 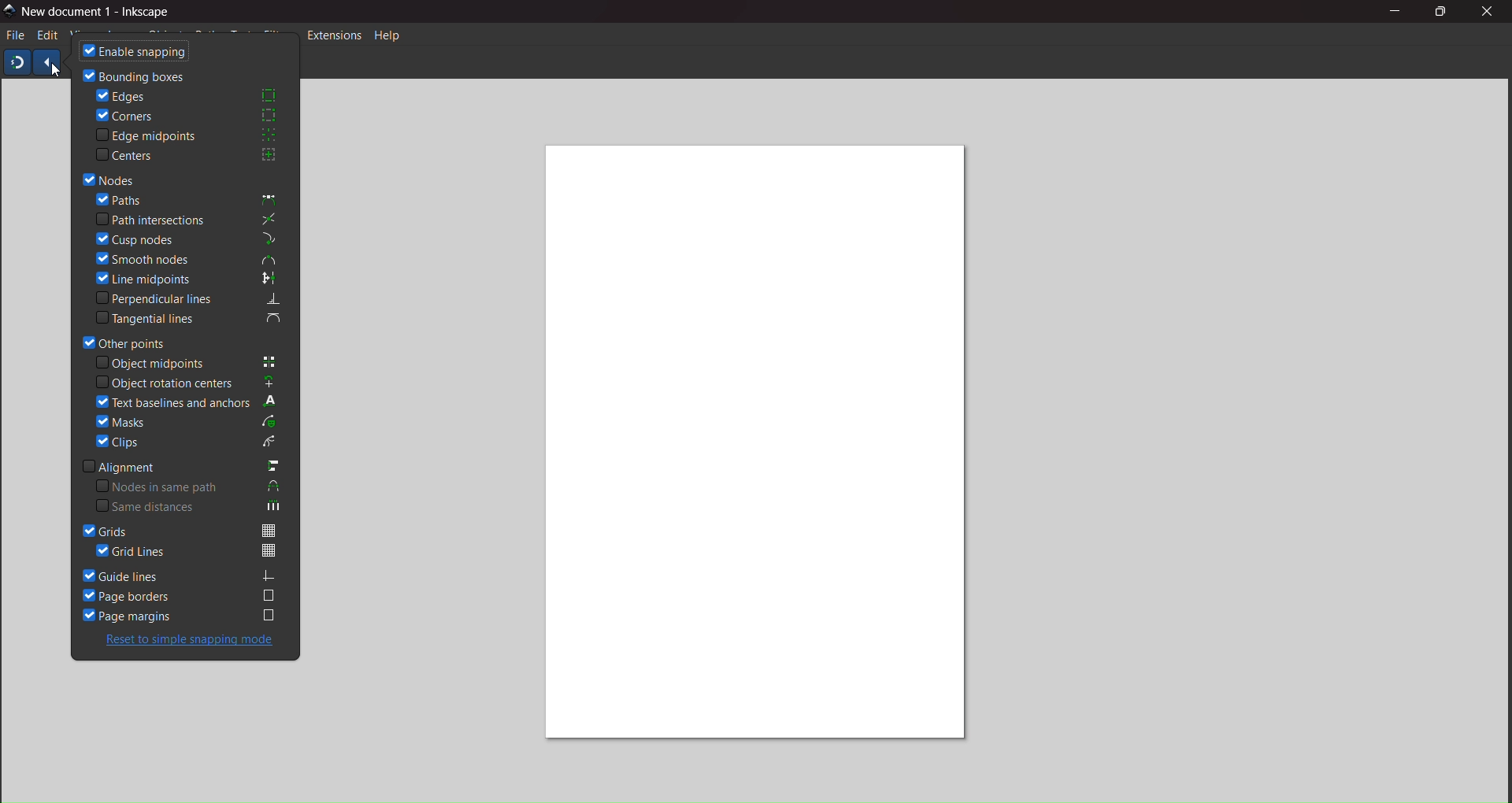 I want to click on minimize, so click(x=1394, y=10).